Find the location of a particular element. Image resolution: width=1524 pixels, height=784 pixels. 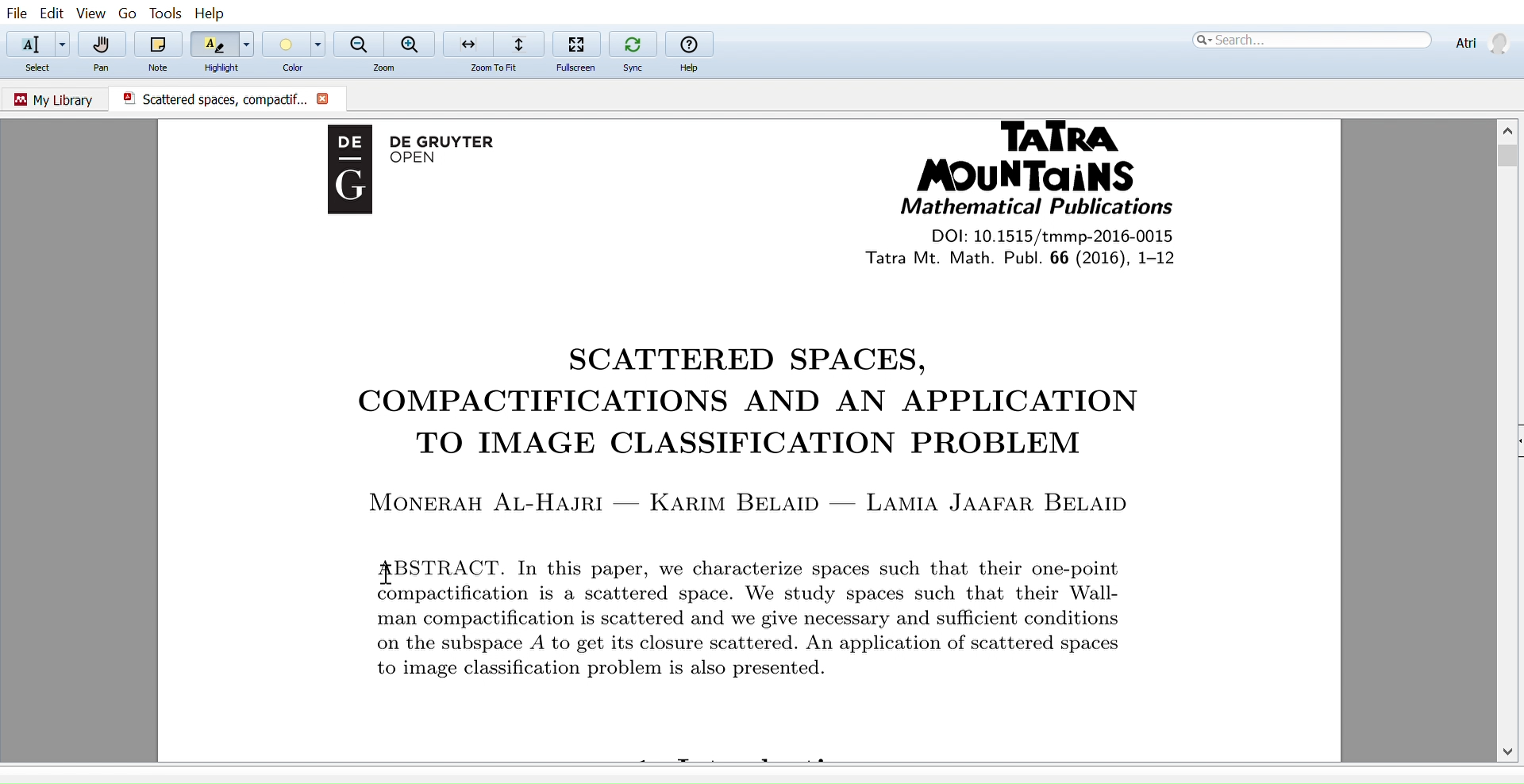

Note is located at coordinates (159, 44).